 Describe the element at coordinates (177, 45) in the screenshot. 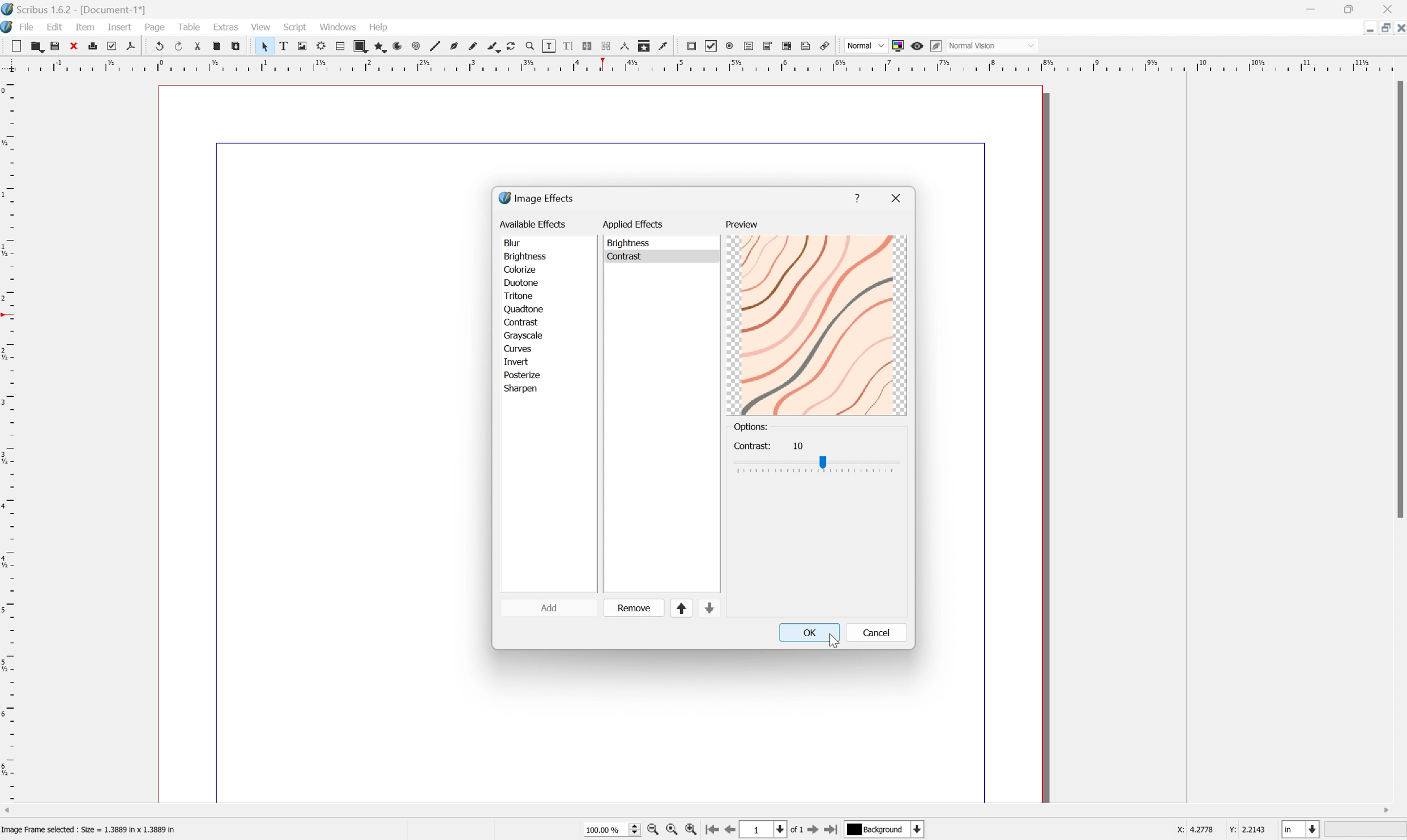

I see `Redo` at that location.